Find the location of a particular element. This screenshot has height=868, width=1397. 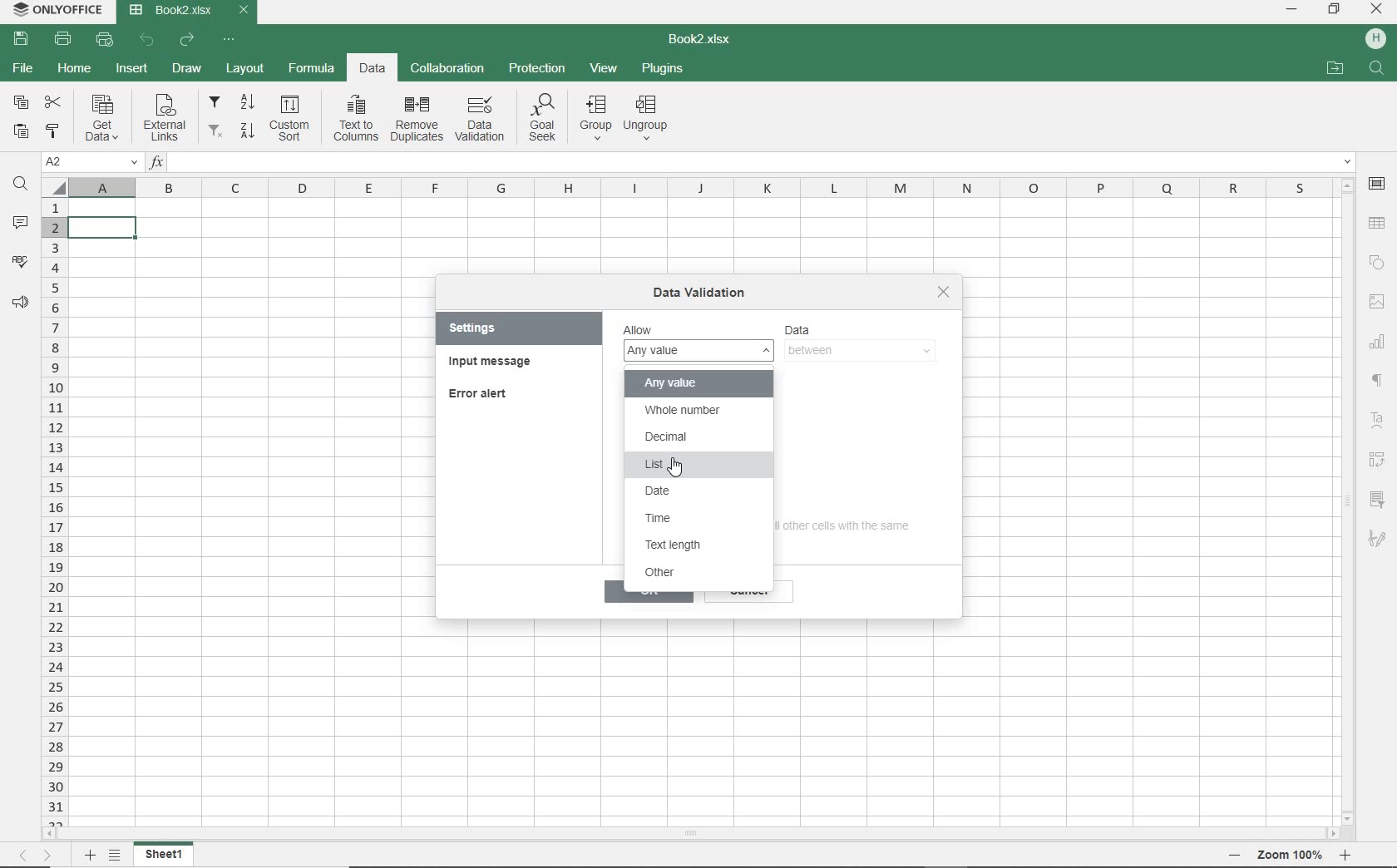

VIEW is located at coordinates (605, 67).